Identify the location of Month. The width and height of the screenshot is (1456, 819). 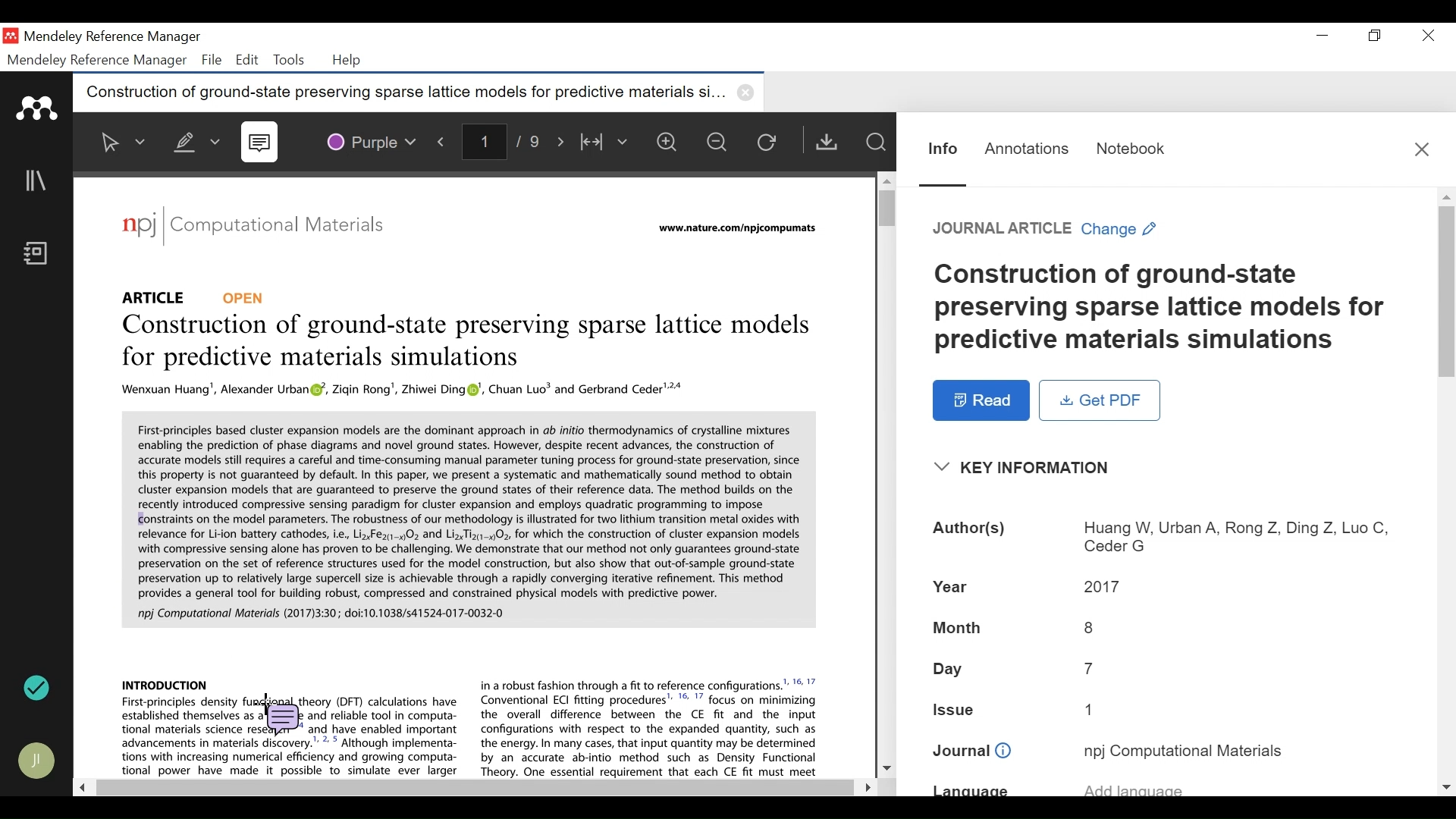
(1163, 627).